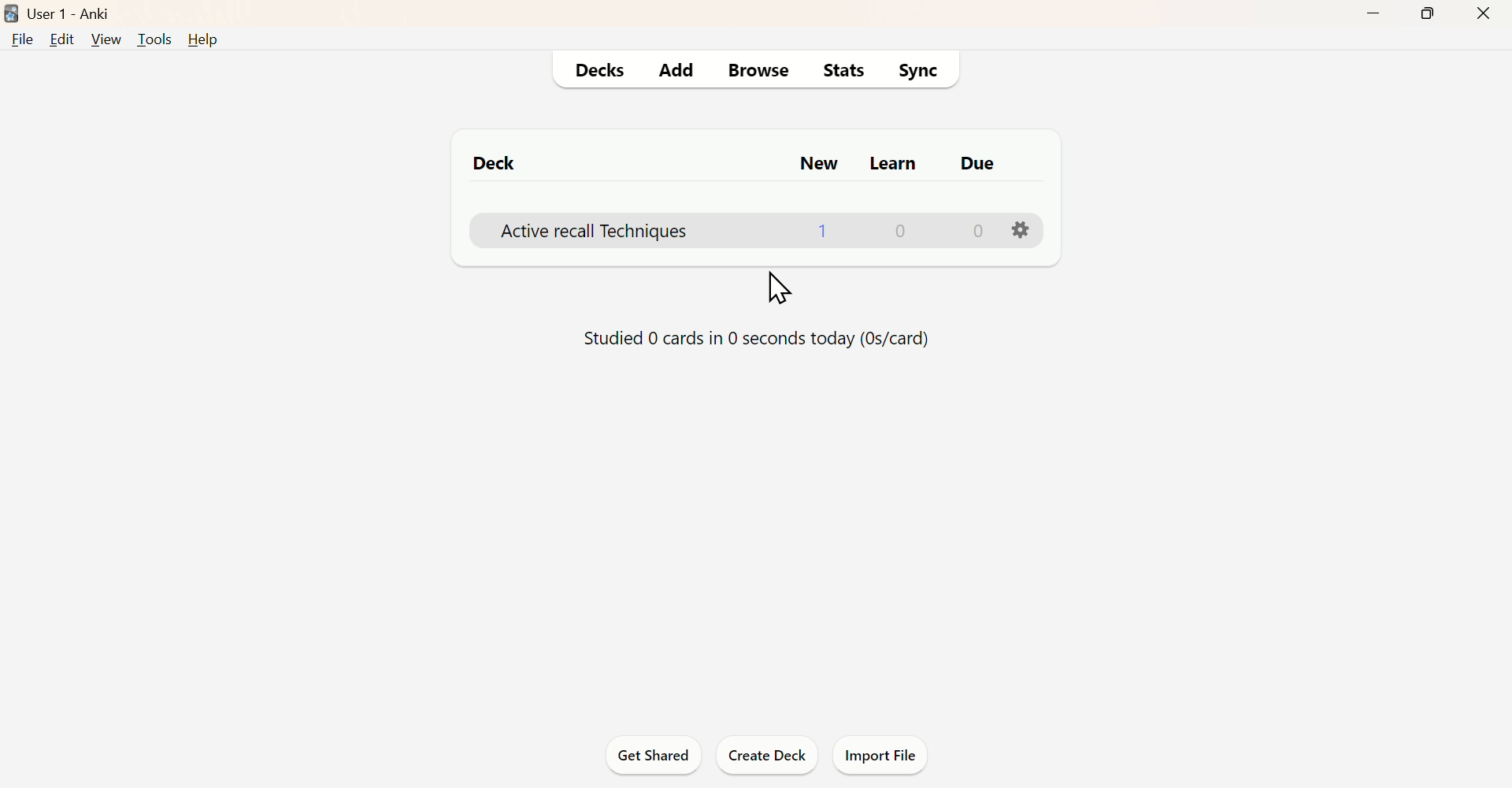  I want to click on Stats, so click(837, 74).